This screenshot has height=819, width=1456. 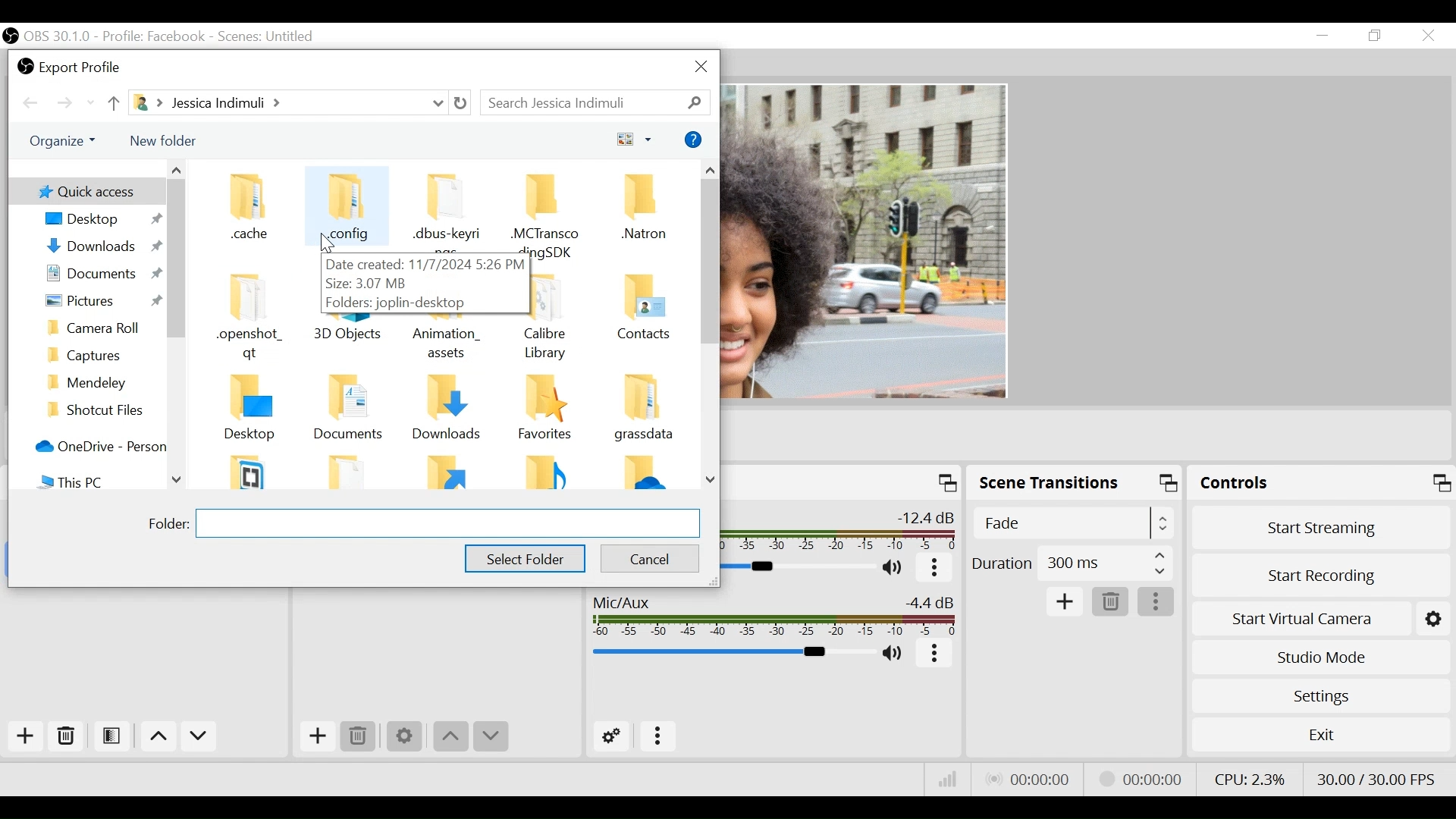 I want to click on Folder, so click(x=643, y=474).